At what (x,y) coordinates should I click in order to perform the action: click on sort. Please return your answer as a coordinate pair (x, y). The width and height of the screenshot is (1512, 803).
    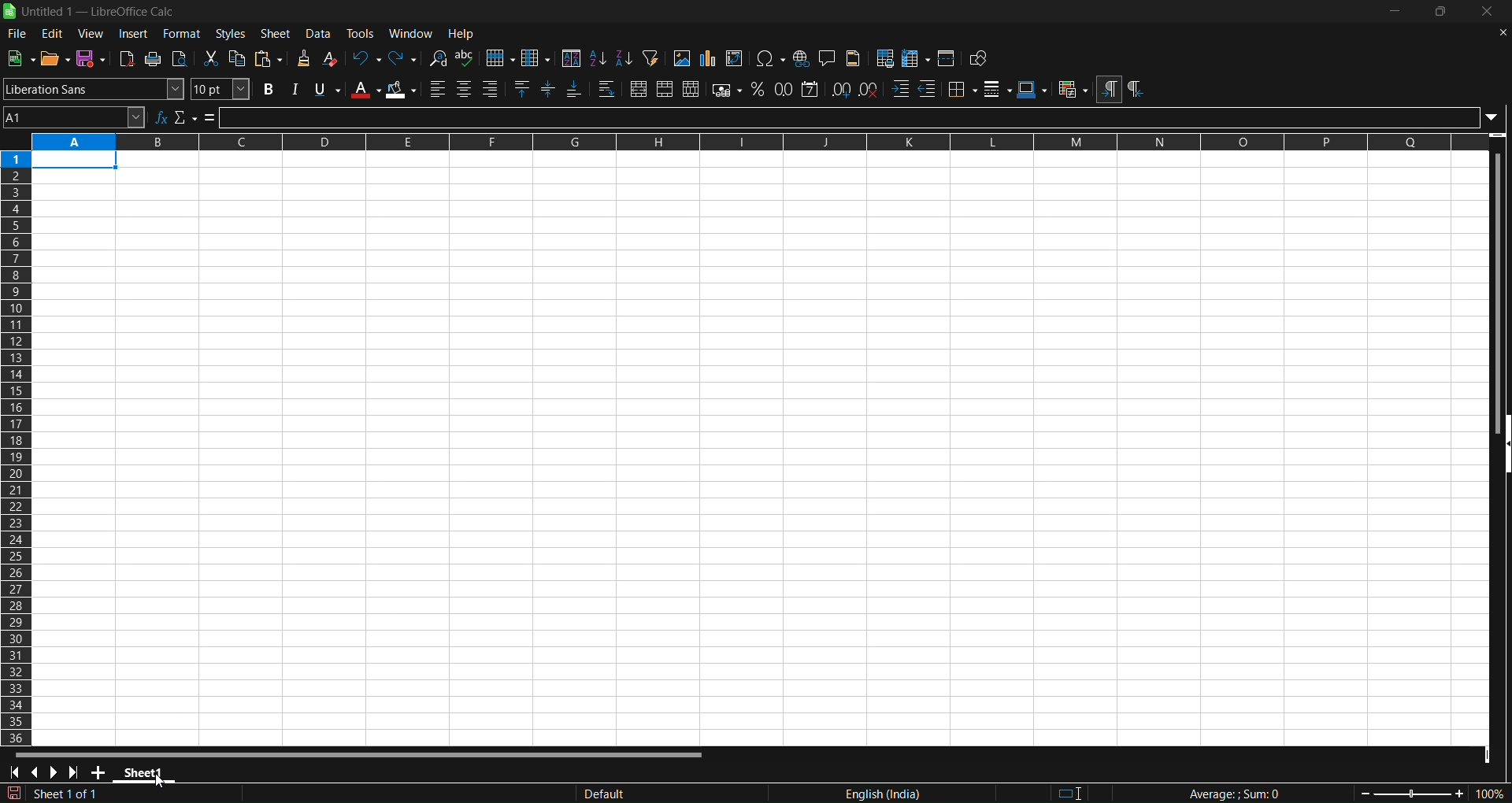
    Looking at the image, I should click on (570, 57).